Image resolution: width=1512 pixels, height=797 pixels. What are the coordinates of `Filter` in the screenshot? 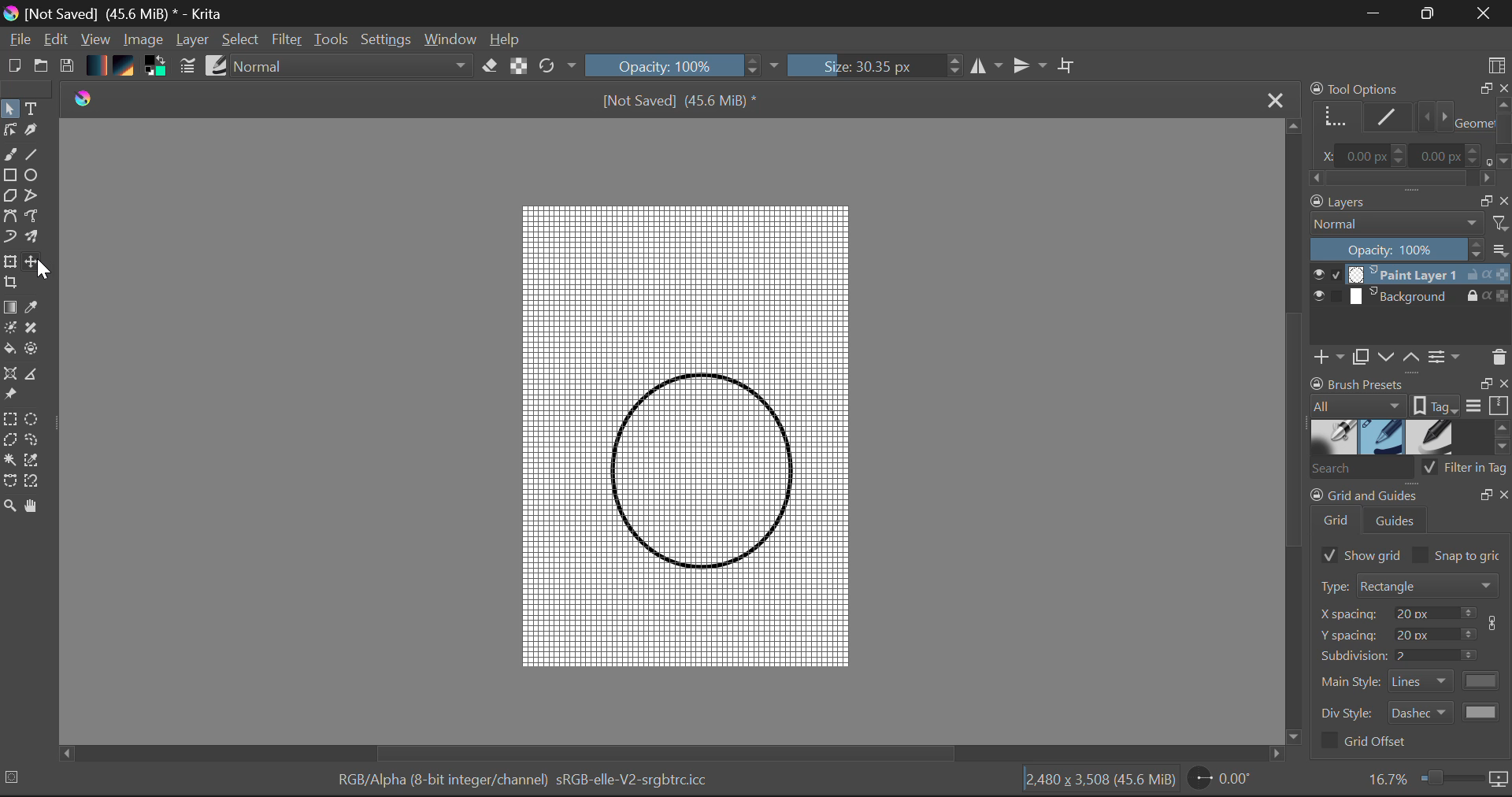 It's located at (285, 40).